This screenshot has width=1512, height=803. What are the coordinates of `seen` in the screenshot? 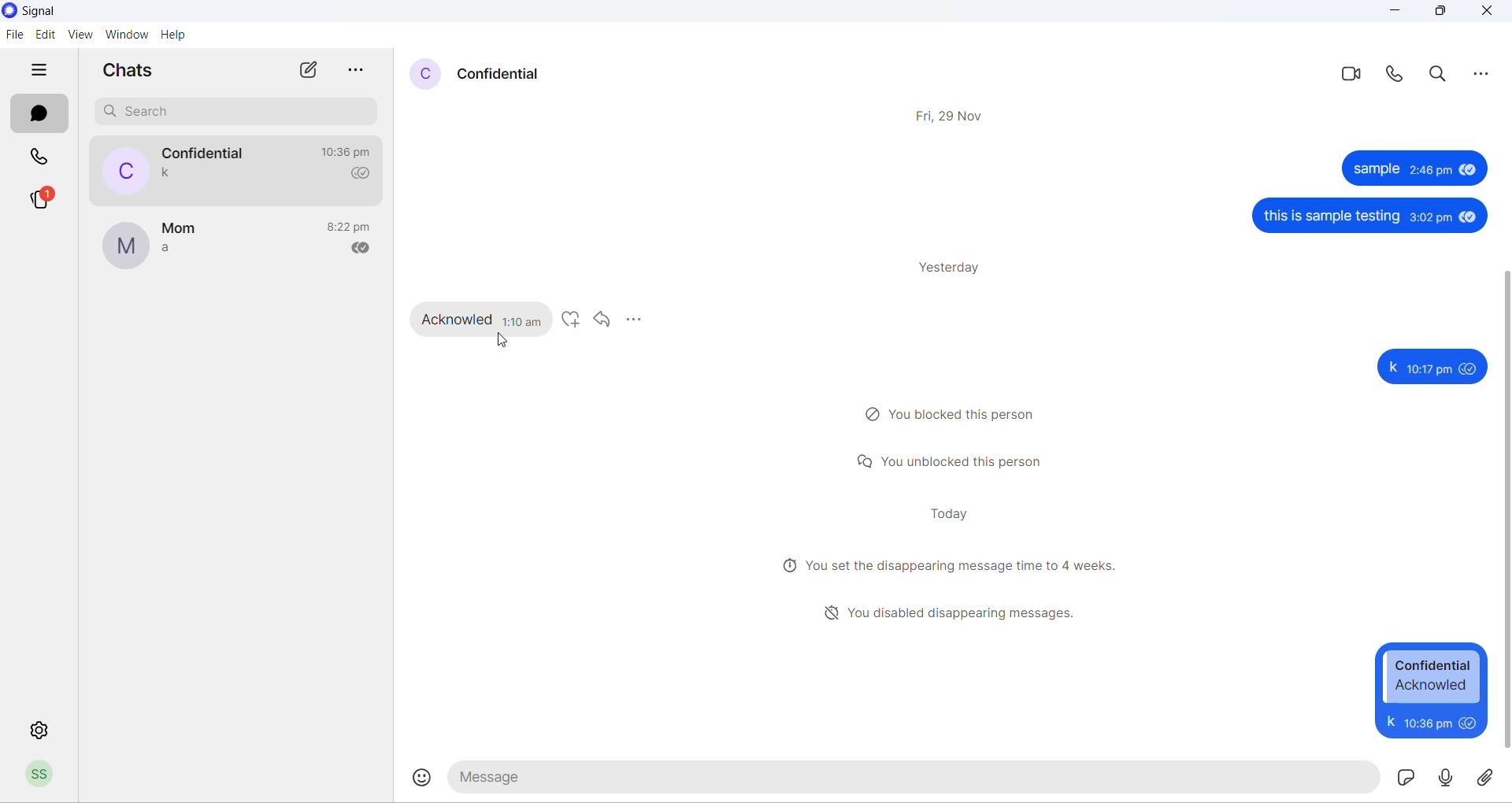 It's located at (1471, 368).